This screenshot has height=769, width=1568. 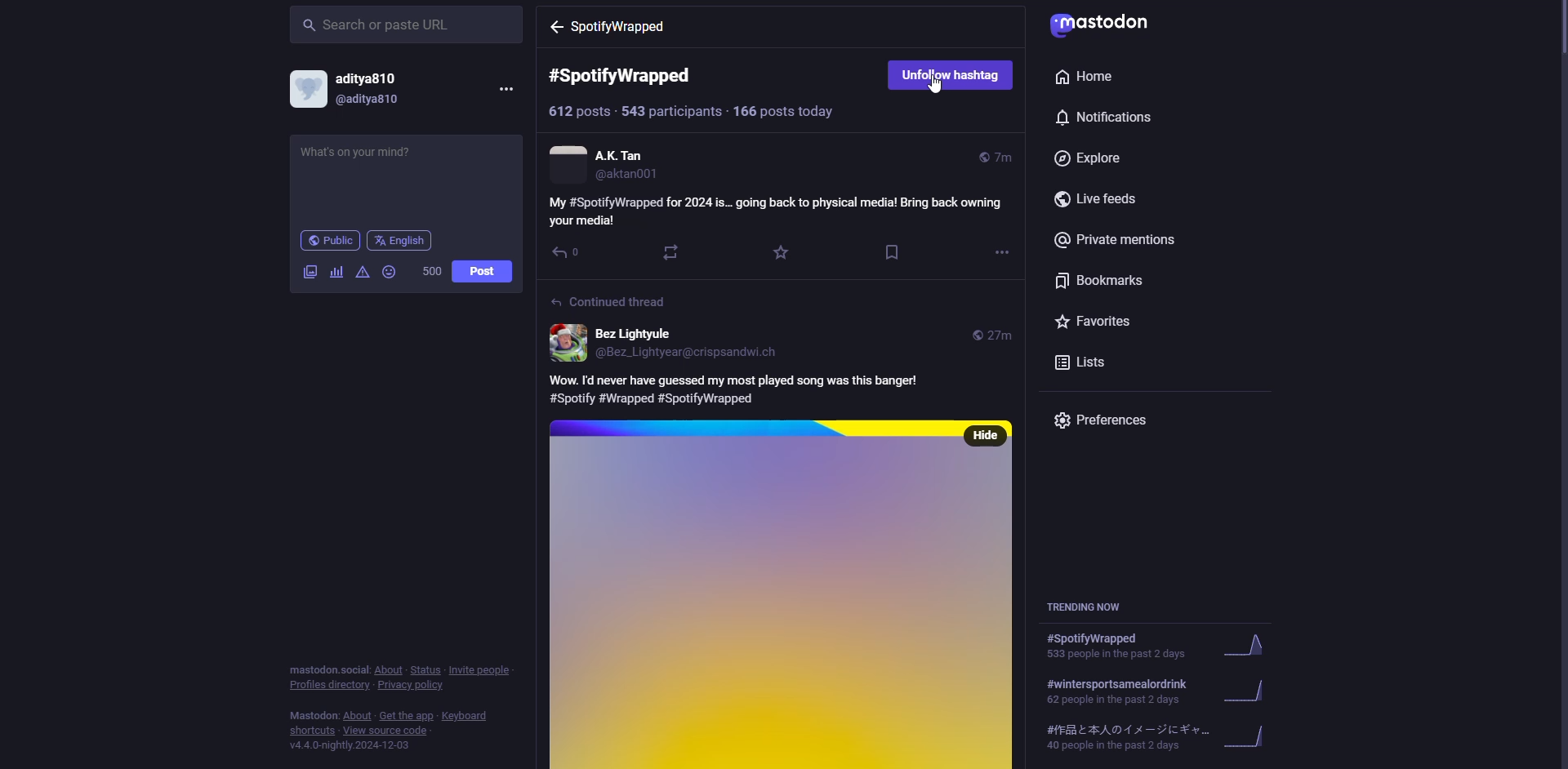 What do you see at coordinates (578, 112) in the screenshot?
I see `posts` at bounding box center [578, 112].